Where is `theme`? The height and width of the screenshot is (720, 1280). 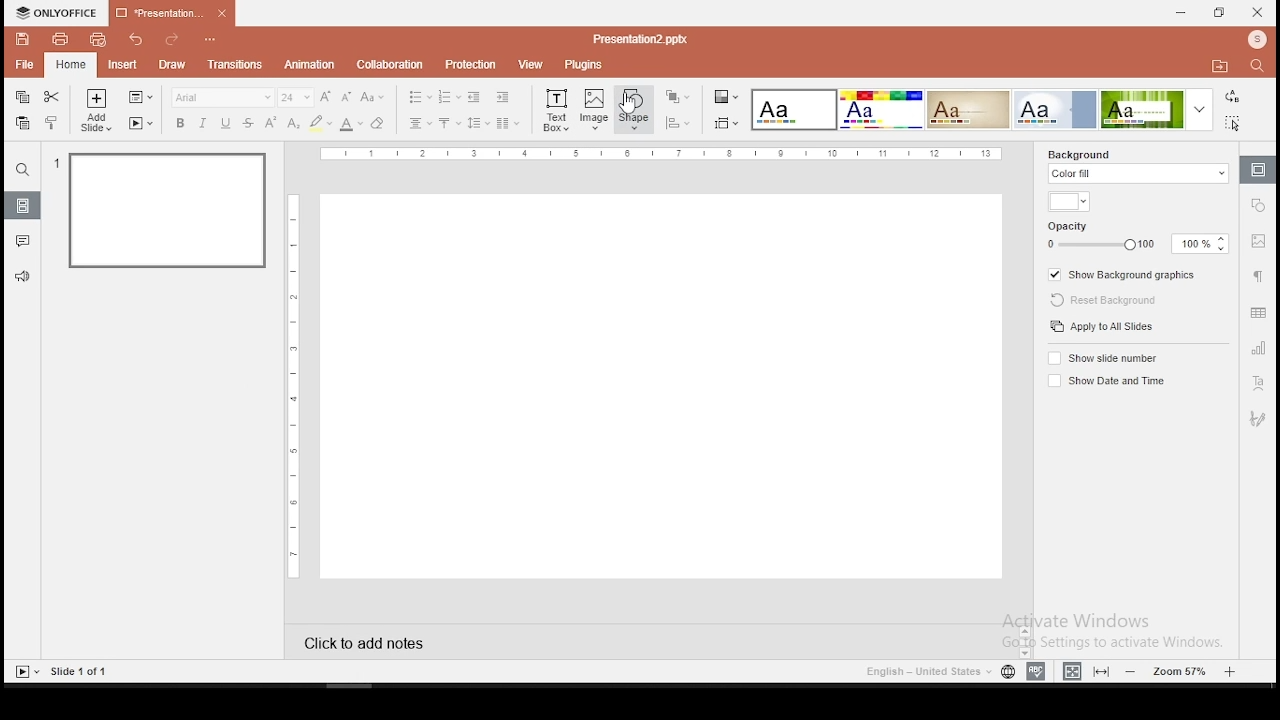 theme is located at coordinates (1160, 109).